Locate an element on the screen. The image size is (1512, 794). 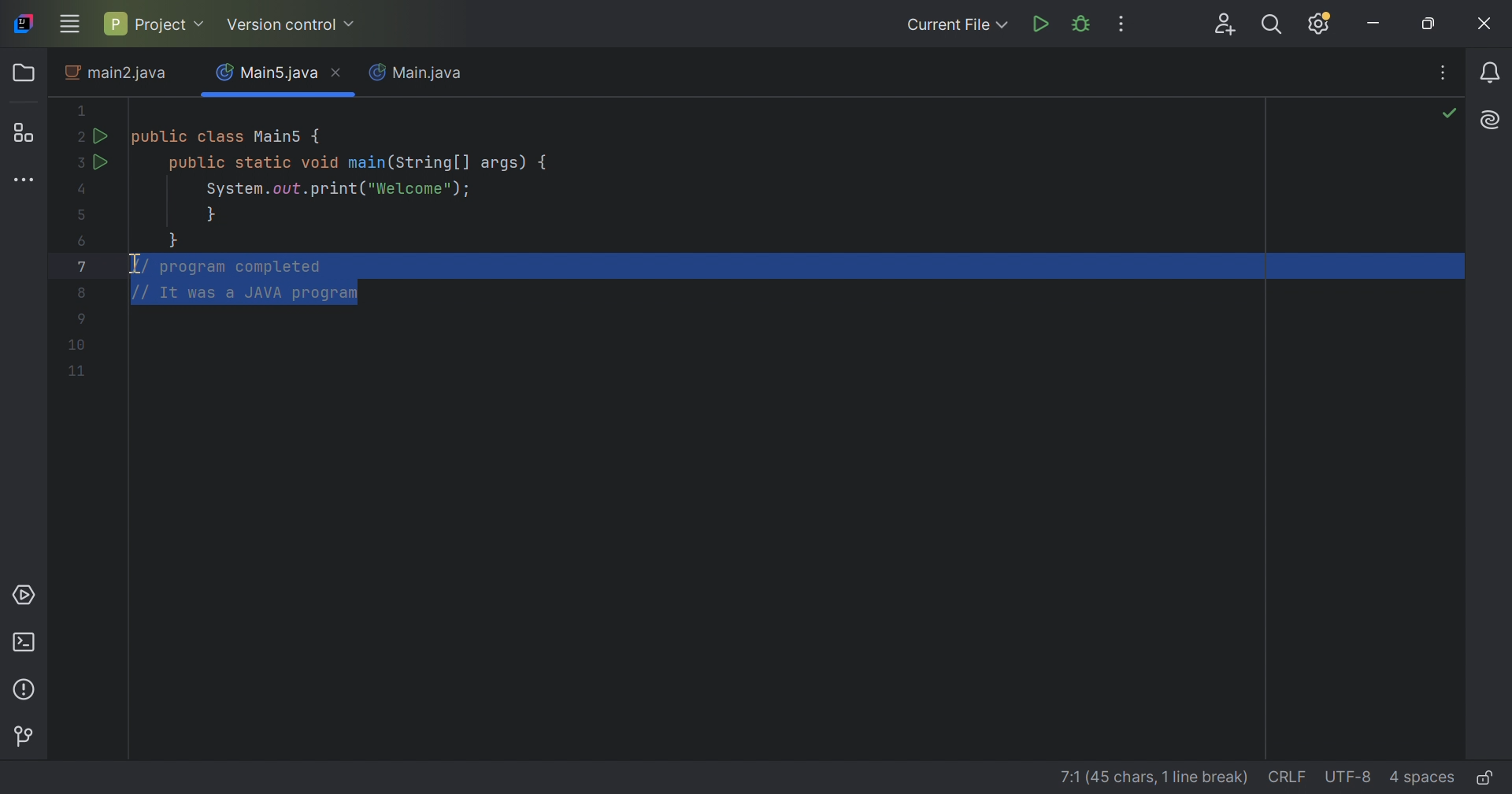
No problems found is located at coordinates (1451, 116).